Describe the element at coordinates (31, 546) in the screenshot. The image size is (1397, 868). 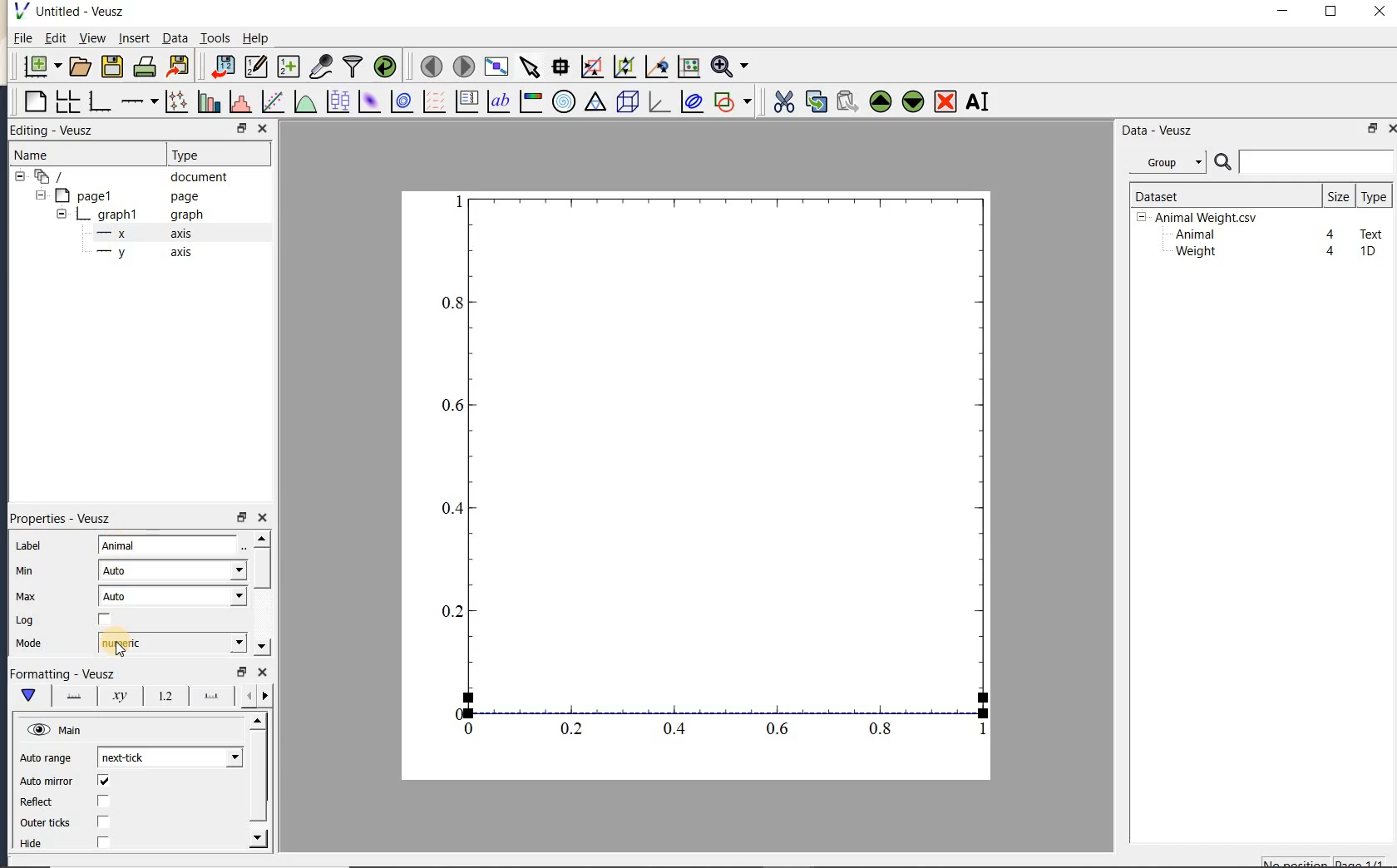
I see `Label` at that location.